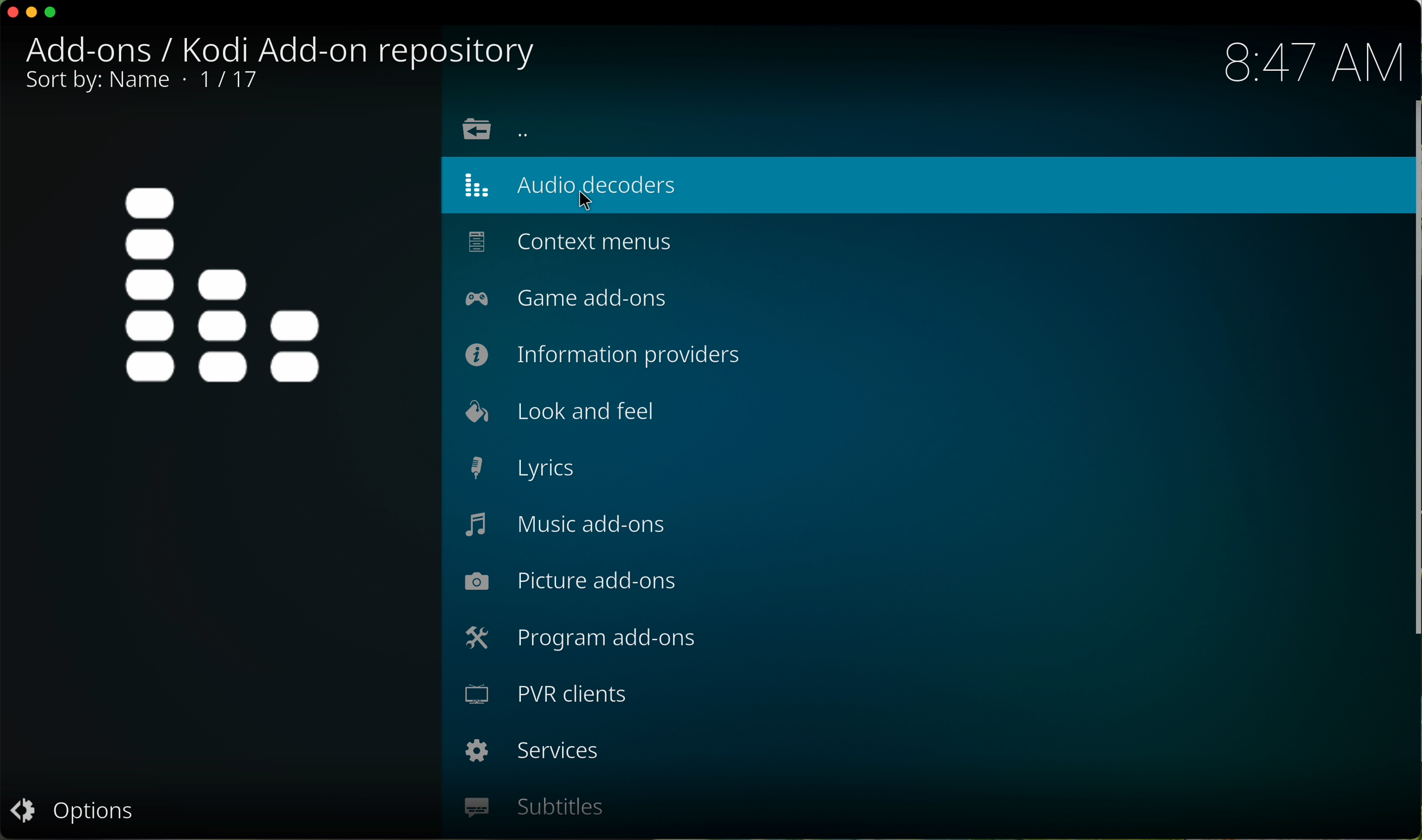  What do you see at coordinates (1413, 371) in the screenshot?
I see `scroll bar` at bounding box center [1413, 371].